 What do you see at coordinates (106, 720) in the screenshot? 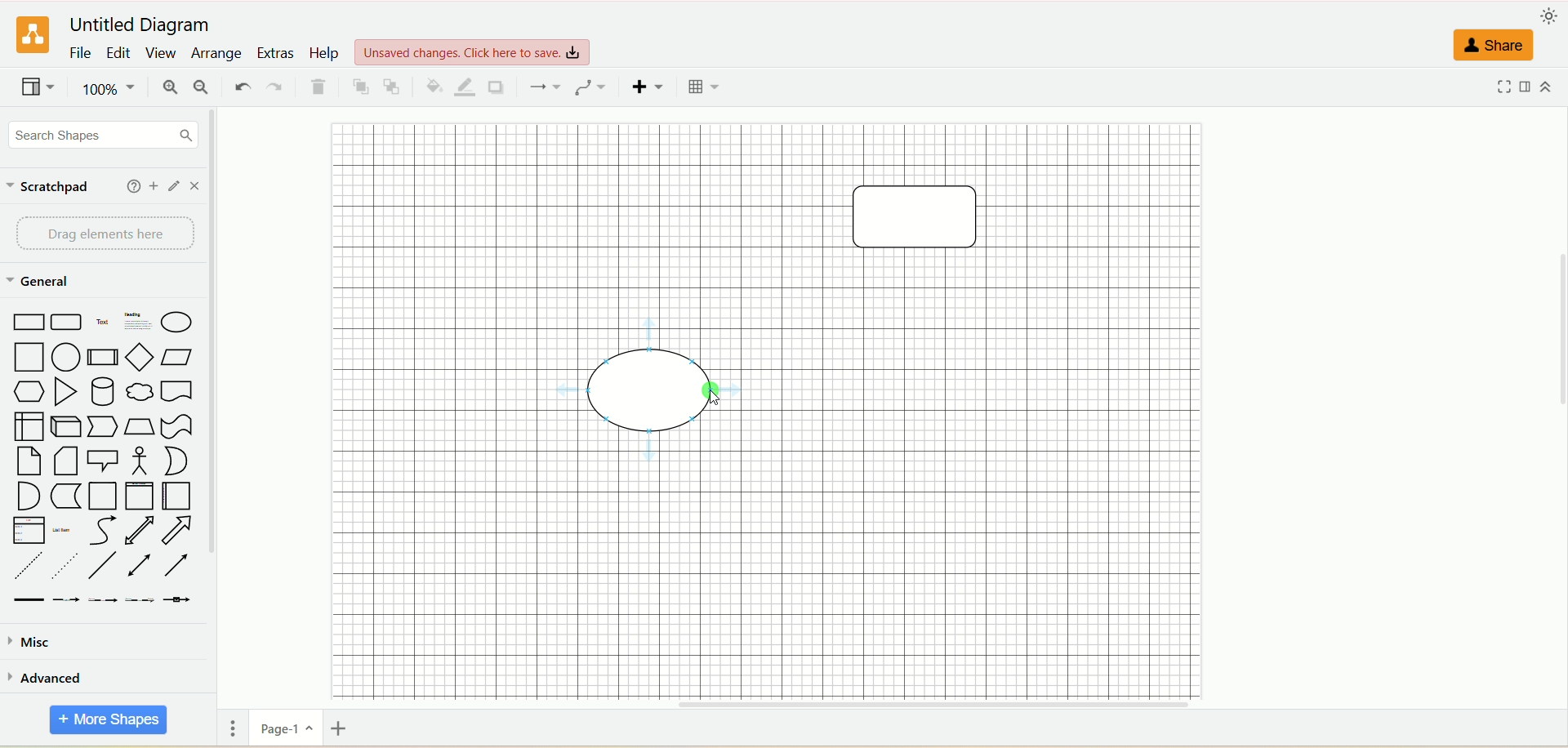
I see `more shapes` at bounding box center [106, 720].